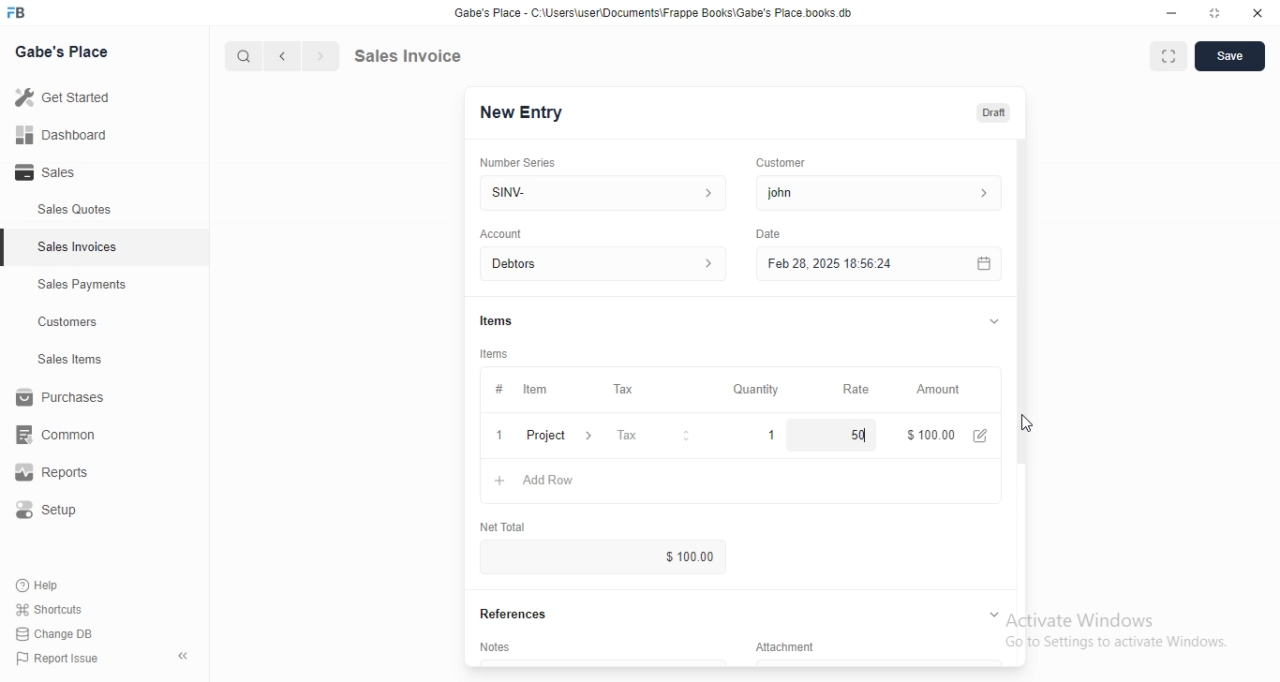  I want to click on ‘Account, so click(501, 233).